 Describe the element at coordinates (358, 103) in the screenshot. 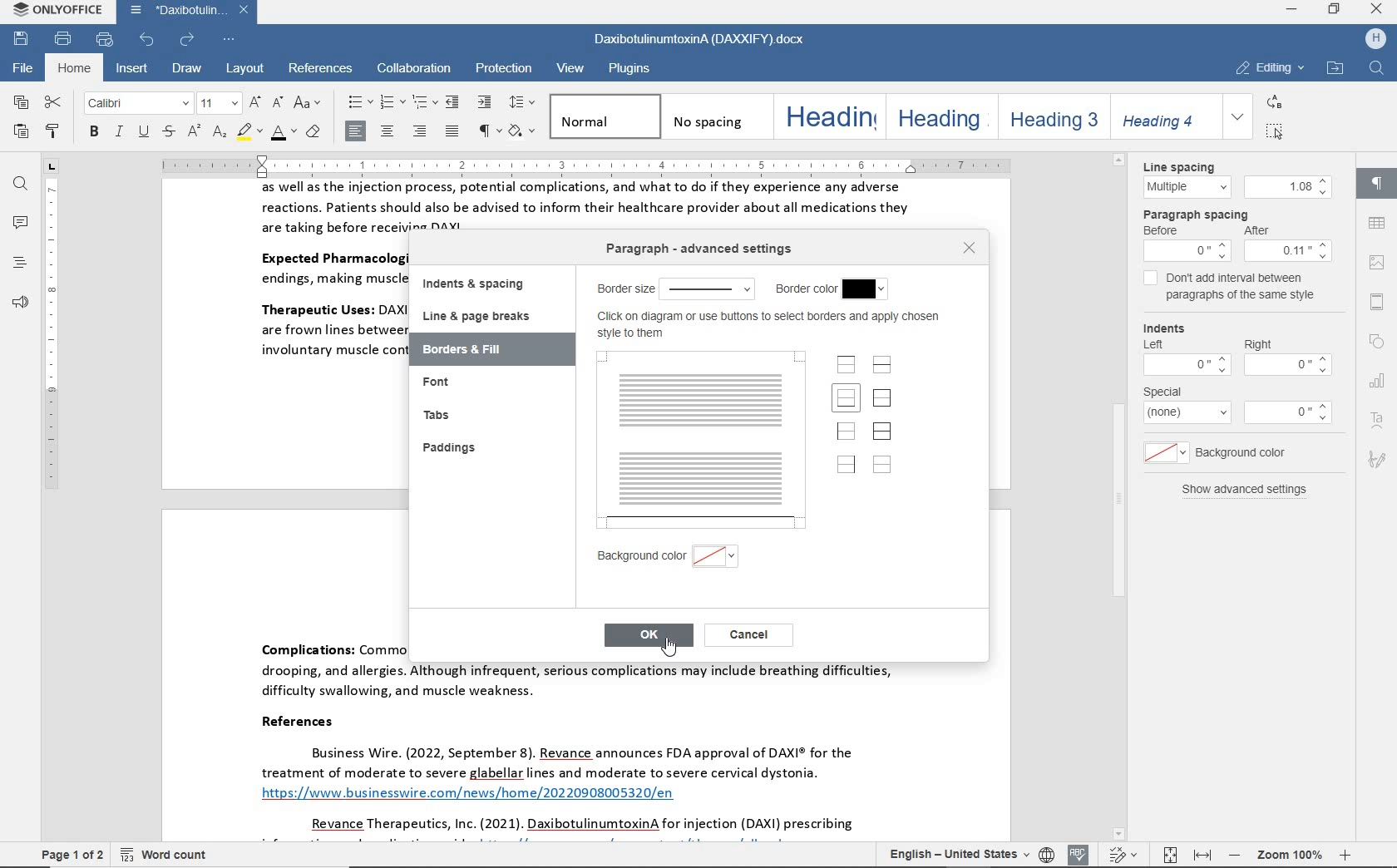

I see `bullets` at that location.